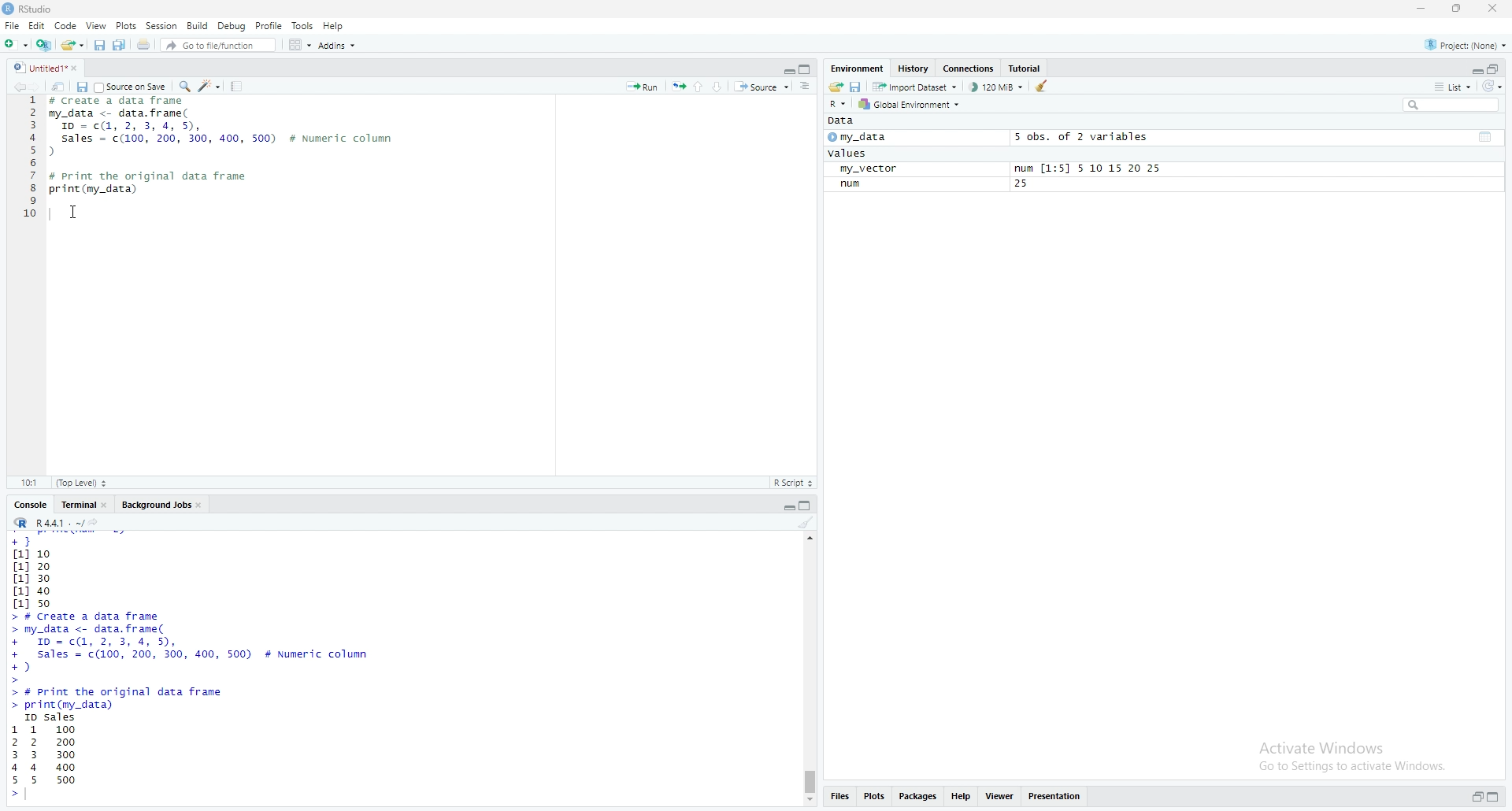  I want to click on cursor, so click(75, 213).